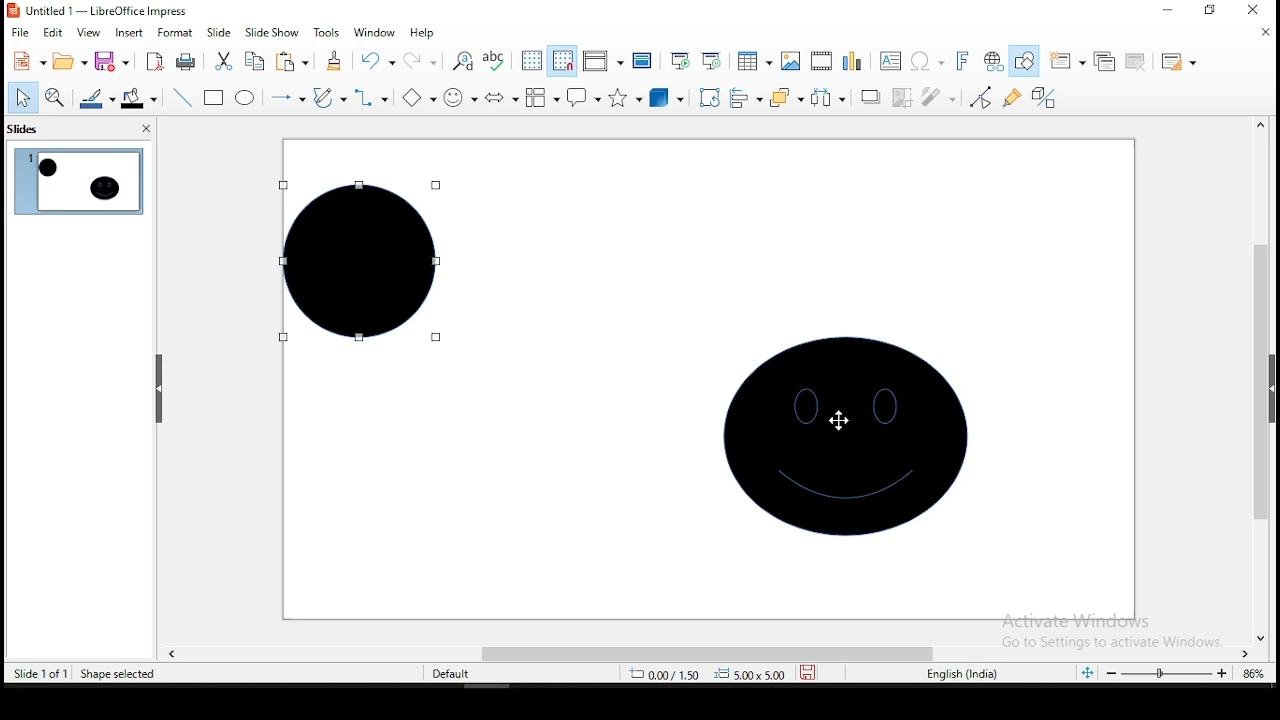  I want to click on slide 1, so click(77, 182).